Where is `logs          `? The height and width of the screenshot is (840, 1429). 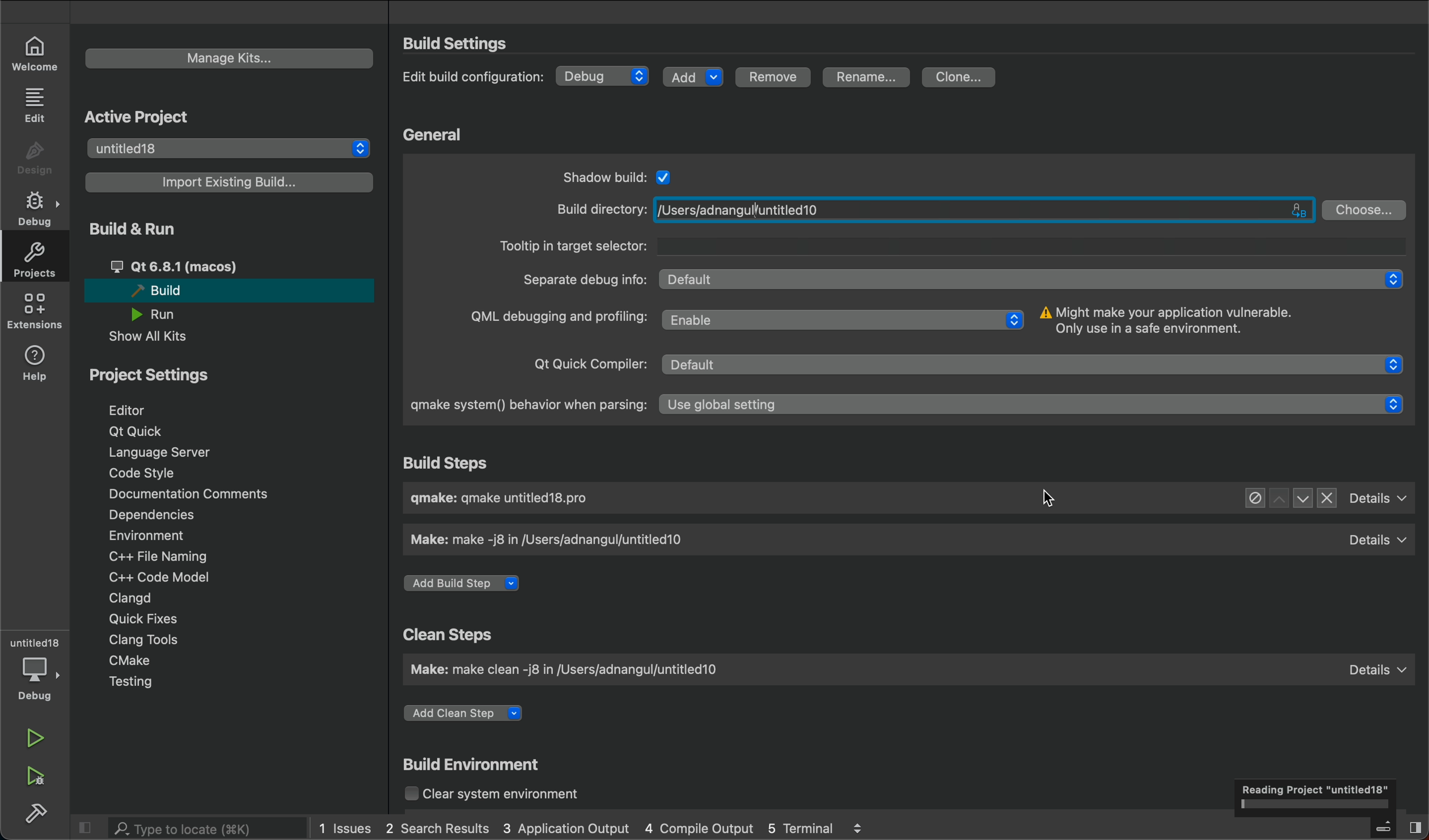 logs           is located at coordinates (865, 827).